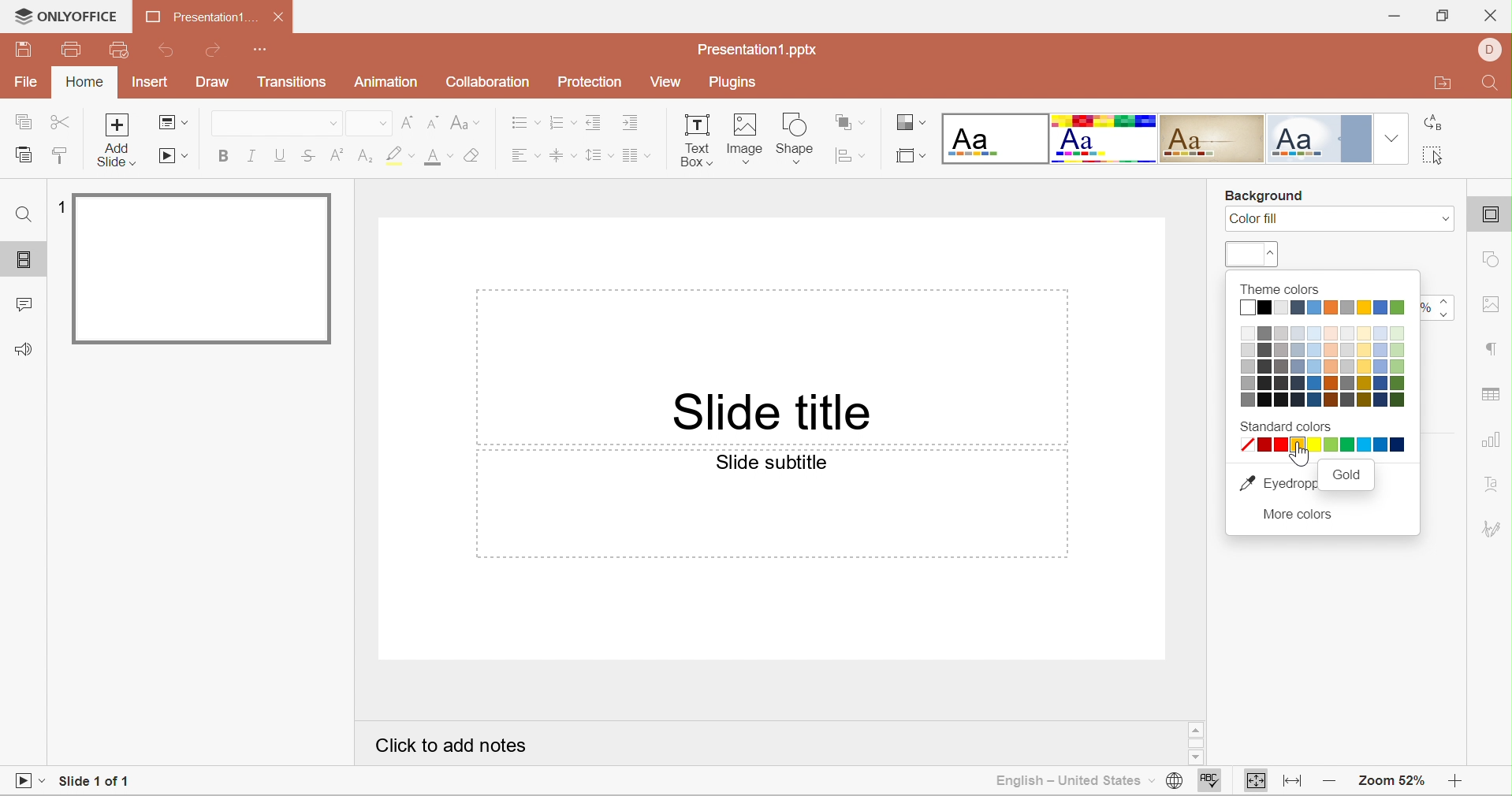  What do you see at coordinates (69, 50) in the screenshot?
I see `Print` at bounding box center [69, 50].